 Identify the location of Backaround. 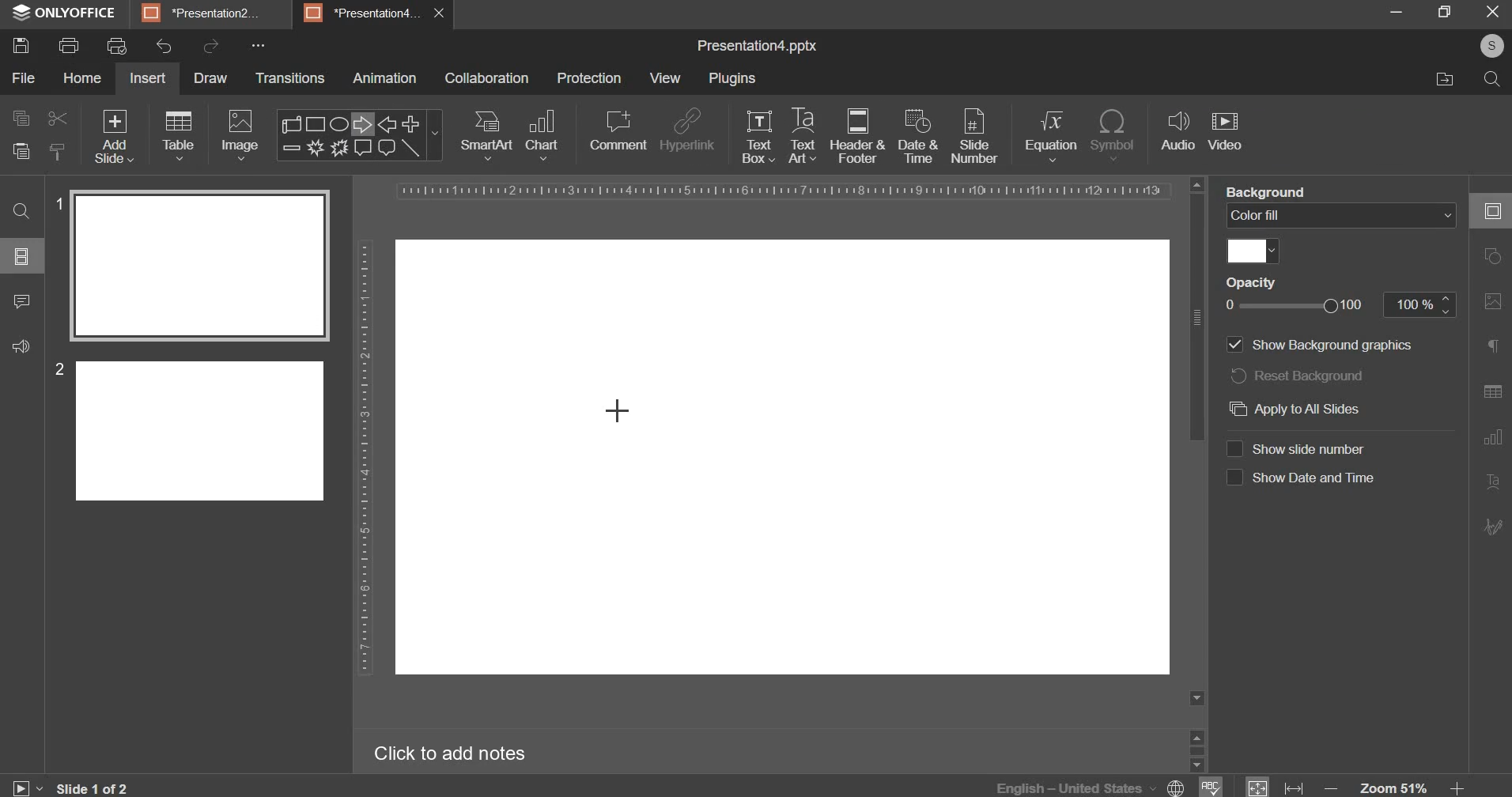
(1268, 191).